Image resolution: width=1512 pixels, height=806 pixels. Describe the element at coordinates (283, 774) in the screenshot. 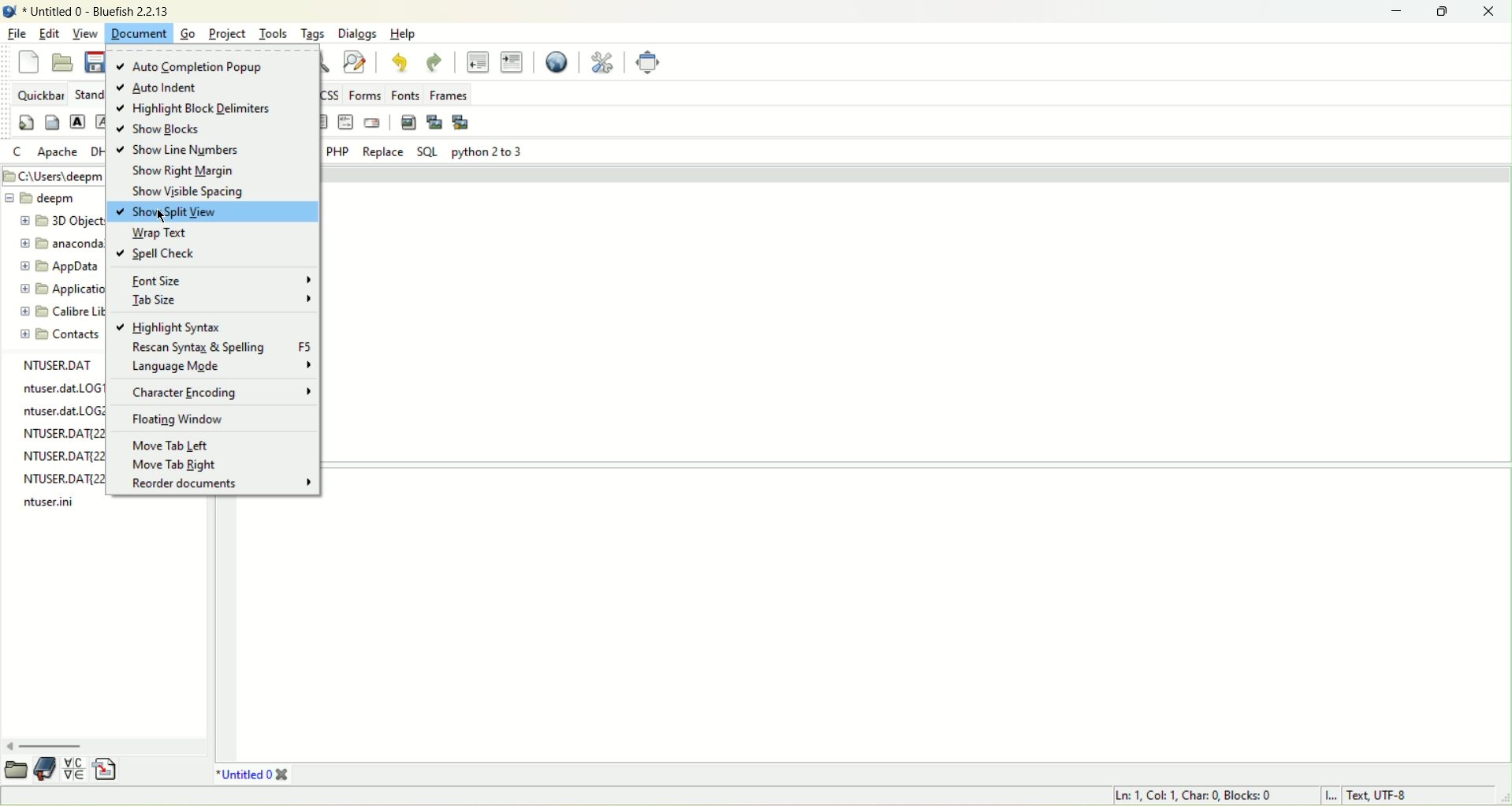

I see `close` at that location.